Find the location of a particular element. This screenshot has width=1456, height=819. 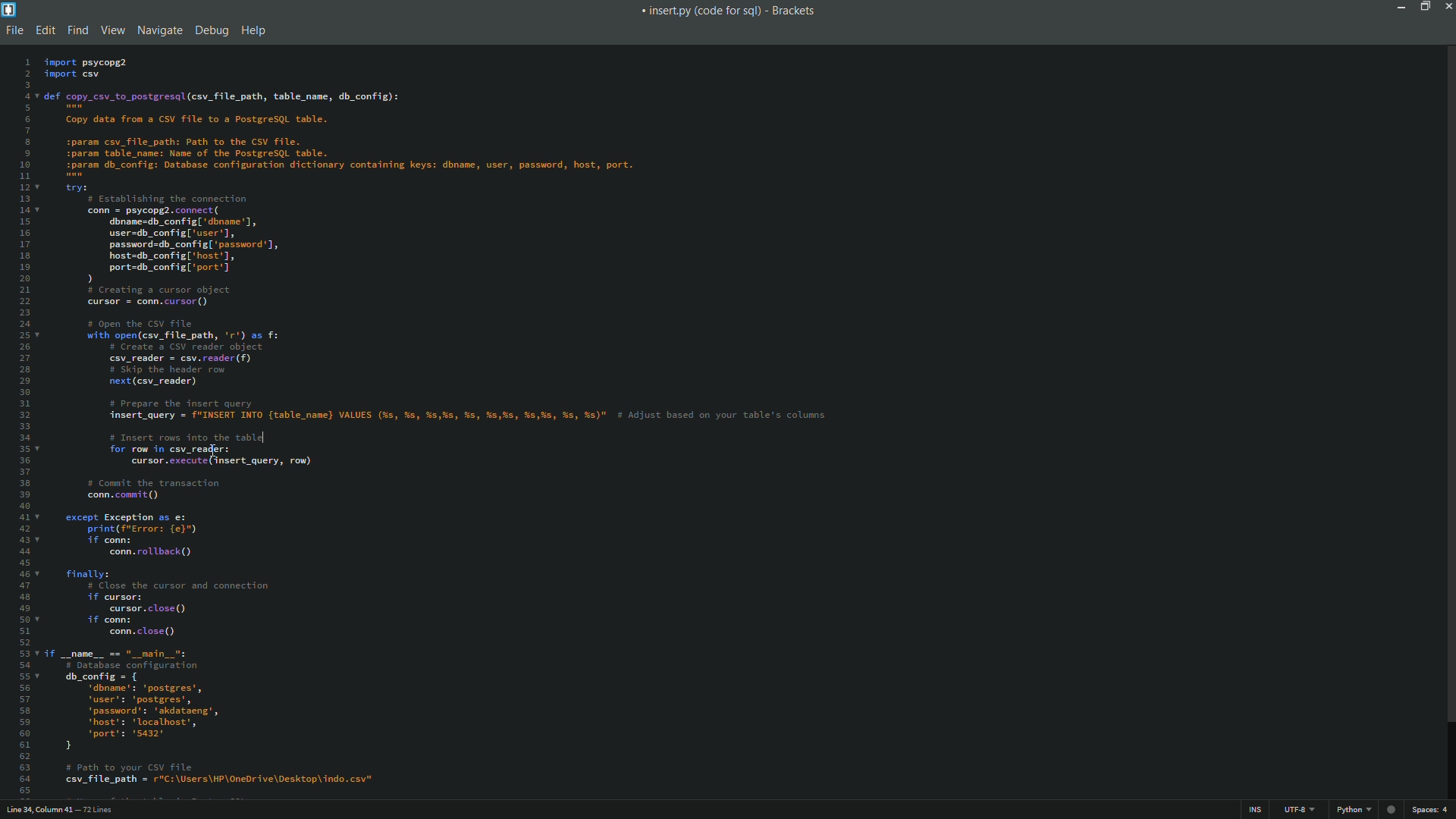

file encoding is located at coordinates (1299, 810).